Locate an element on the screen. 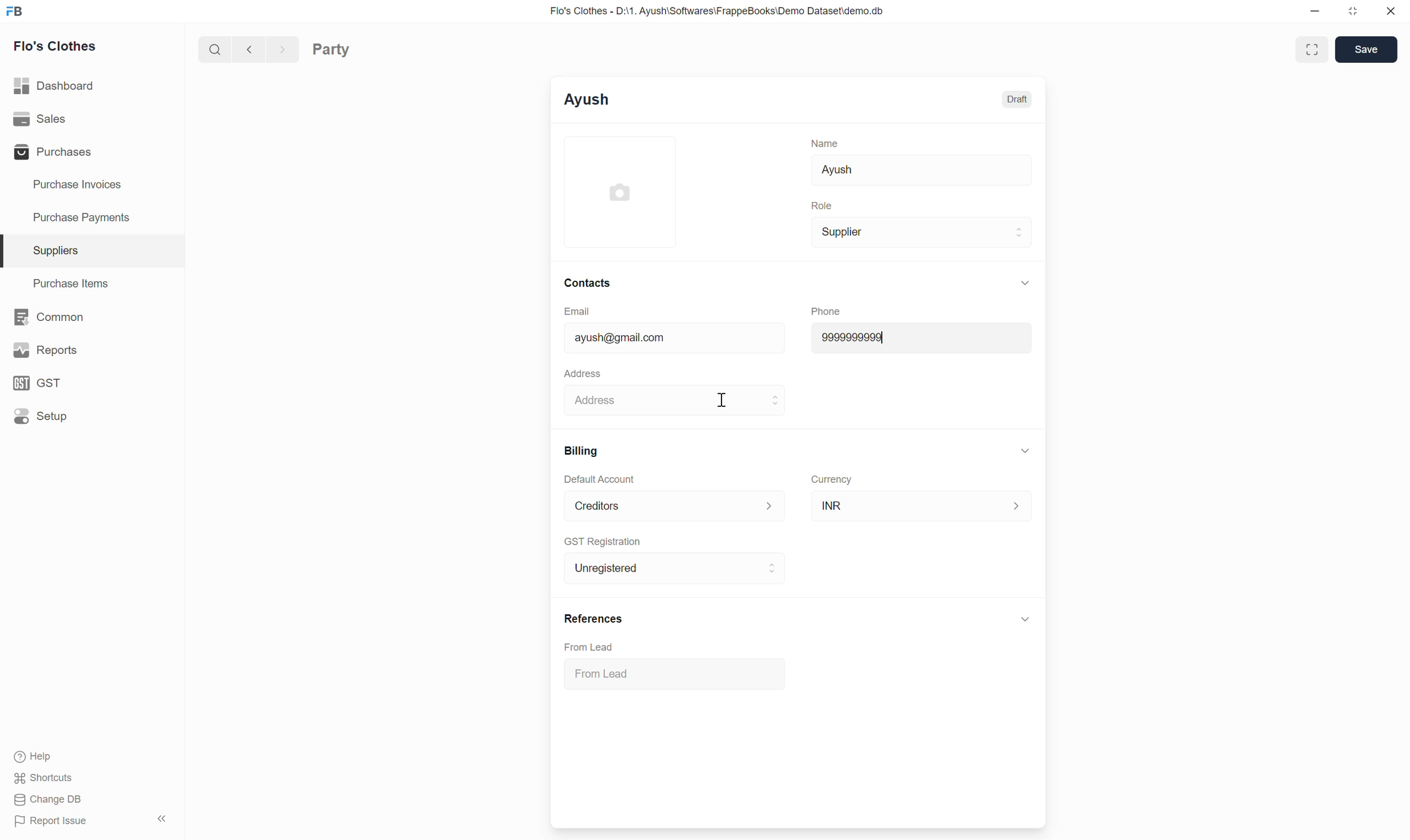  9999999999 is located at coordinates (921, 338).